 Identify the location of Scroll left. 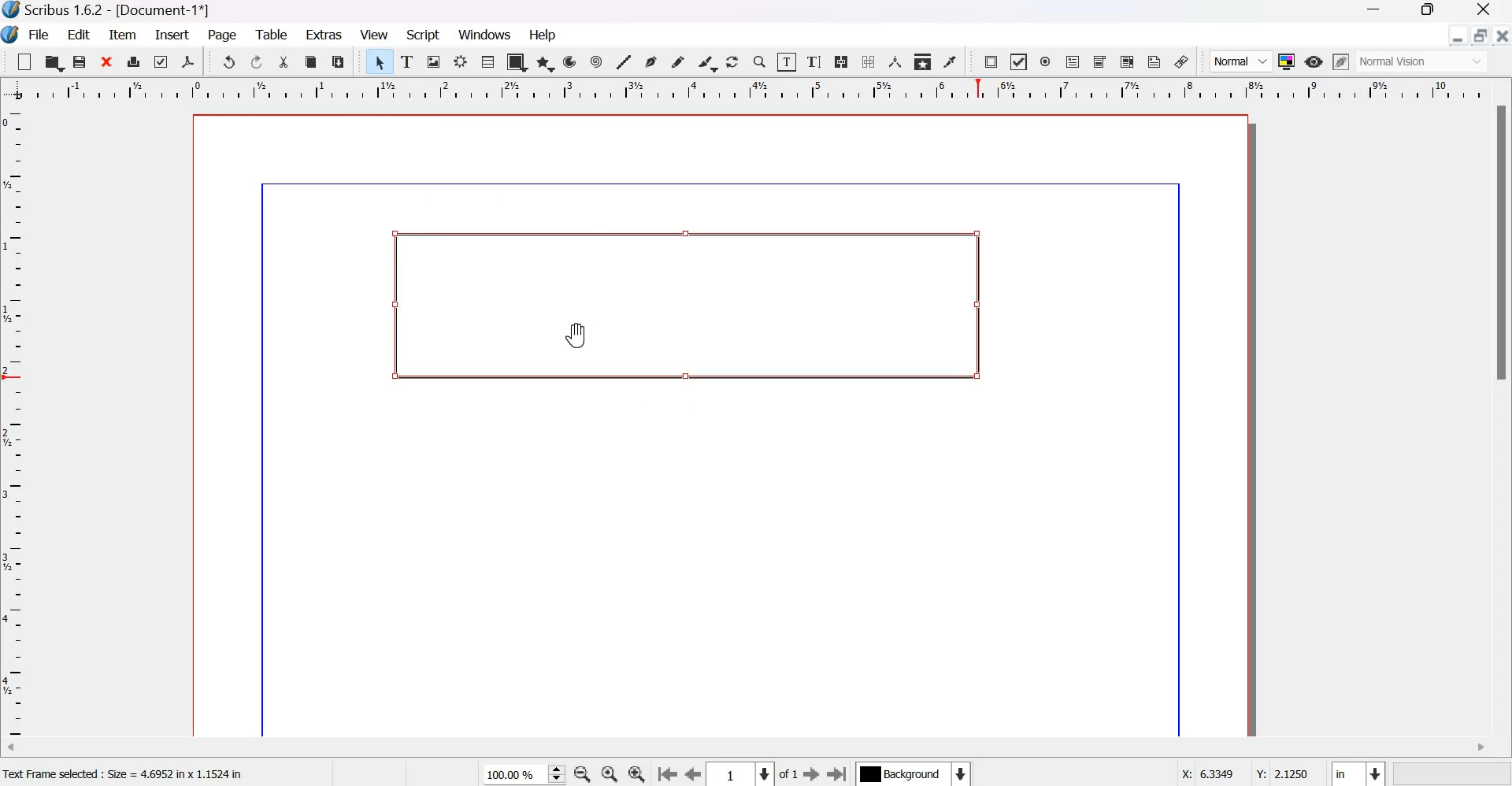
(24, 750).